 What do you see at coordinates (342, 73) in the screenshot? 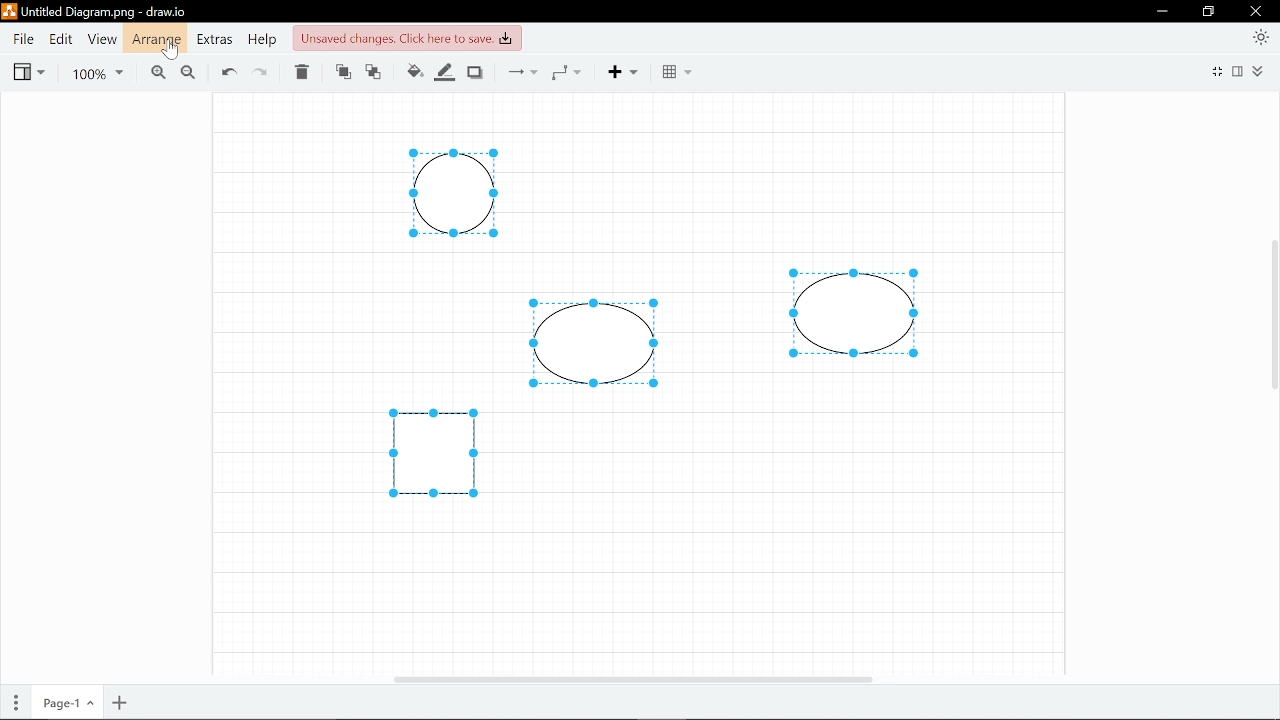
I see `To front` at bounding box center [342, 73].